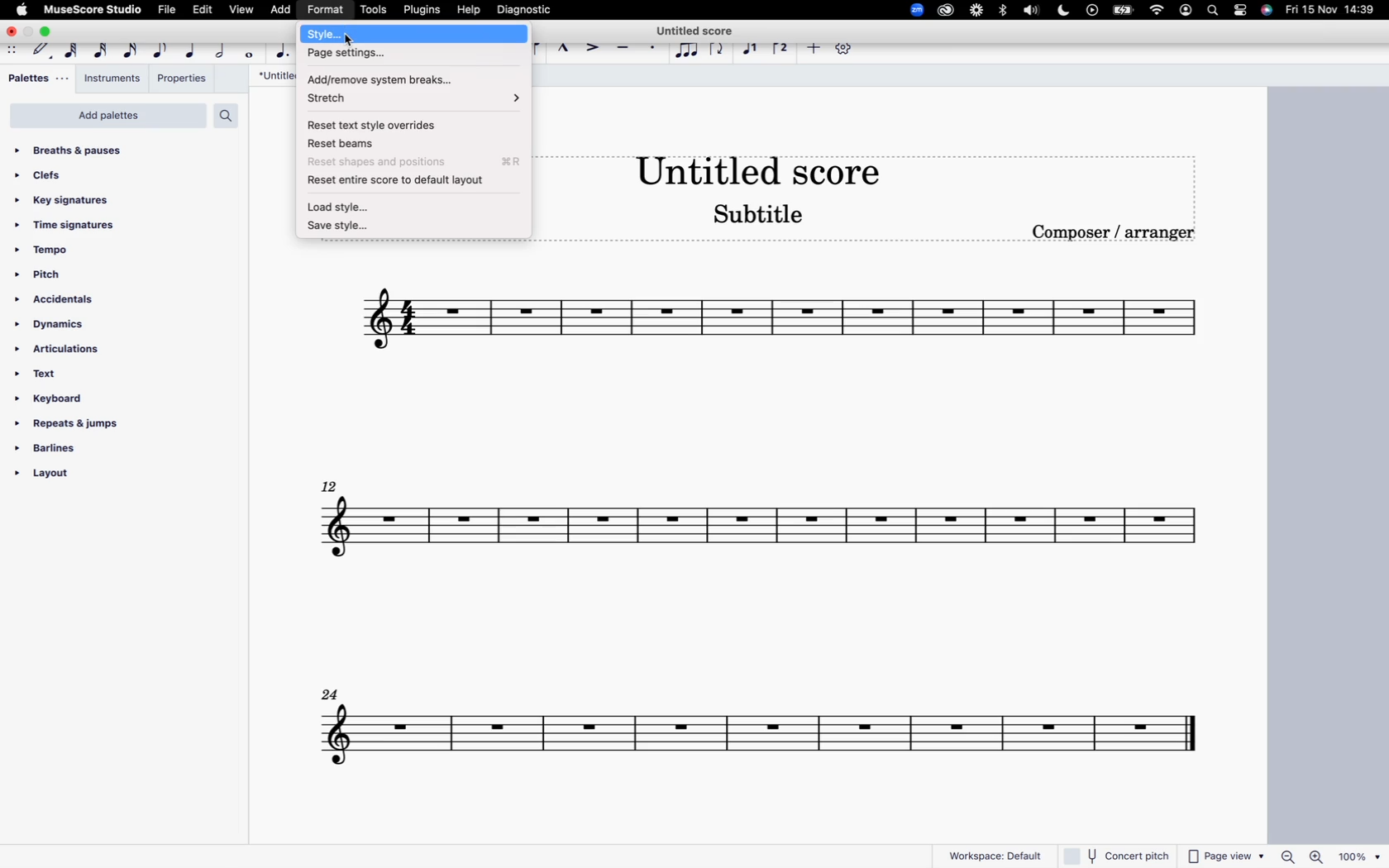 The width and height of the screenshot is (1389, 868). Describe the element at coordinates (413, 142) in the screenshot. I see `reset beams` at that location.